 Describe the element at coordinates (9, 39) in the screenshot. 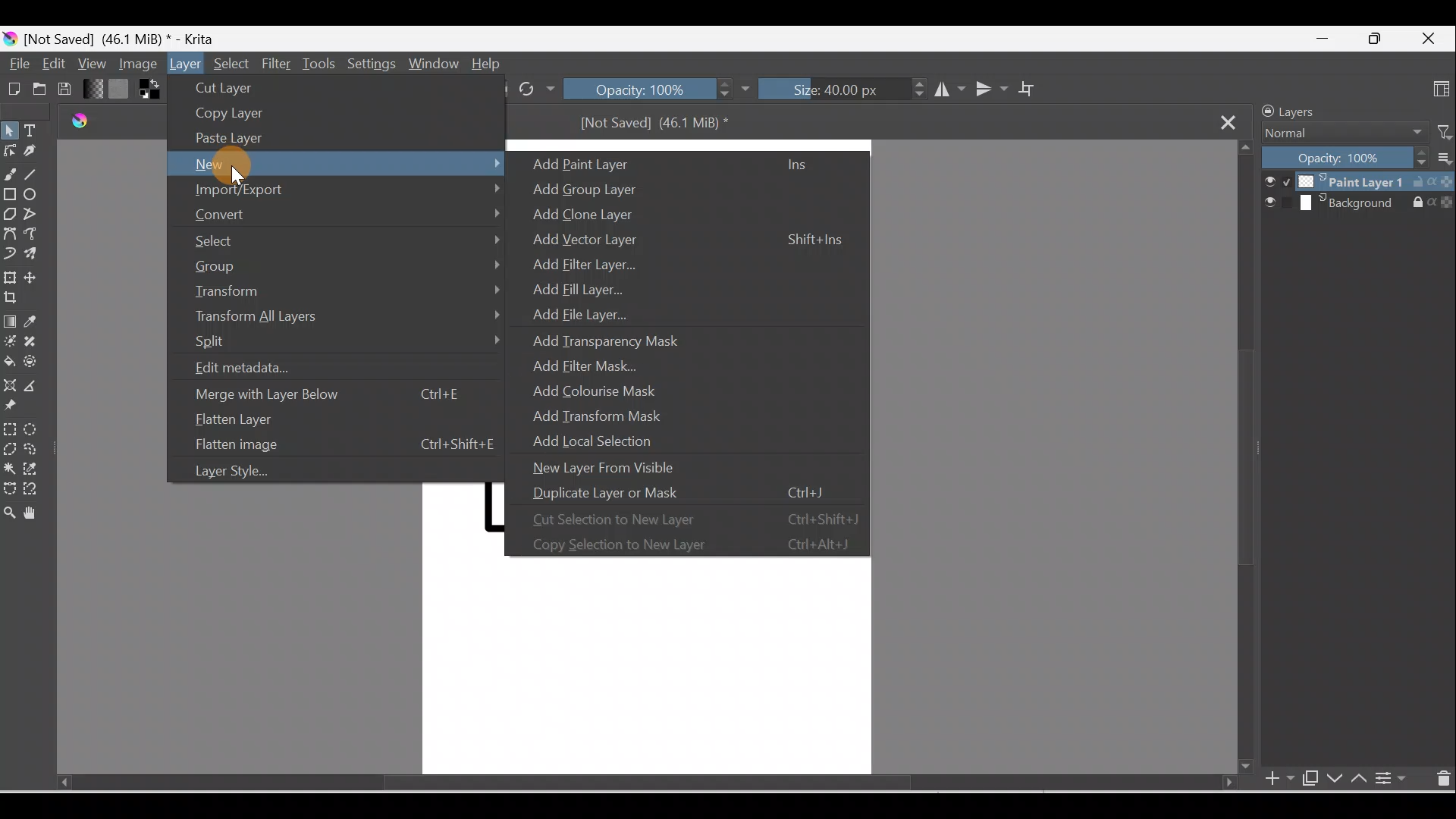

I see `Krita logo` at that location.